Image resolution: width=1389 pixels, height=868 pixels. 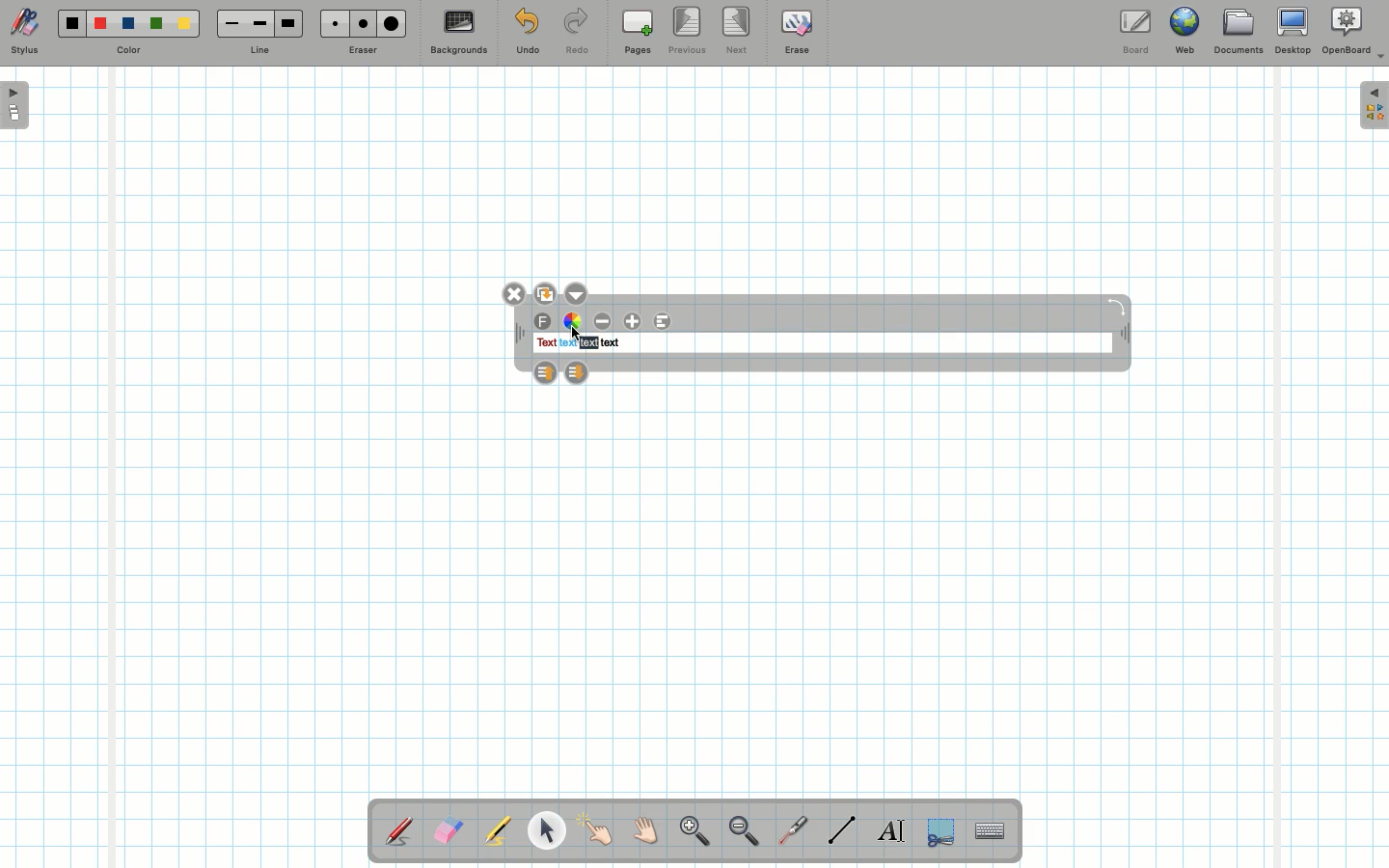 What do you see at coordinates (796, 31) in the screenshot?
I see `Erase` at bounding box center [796, 31].